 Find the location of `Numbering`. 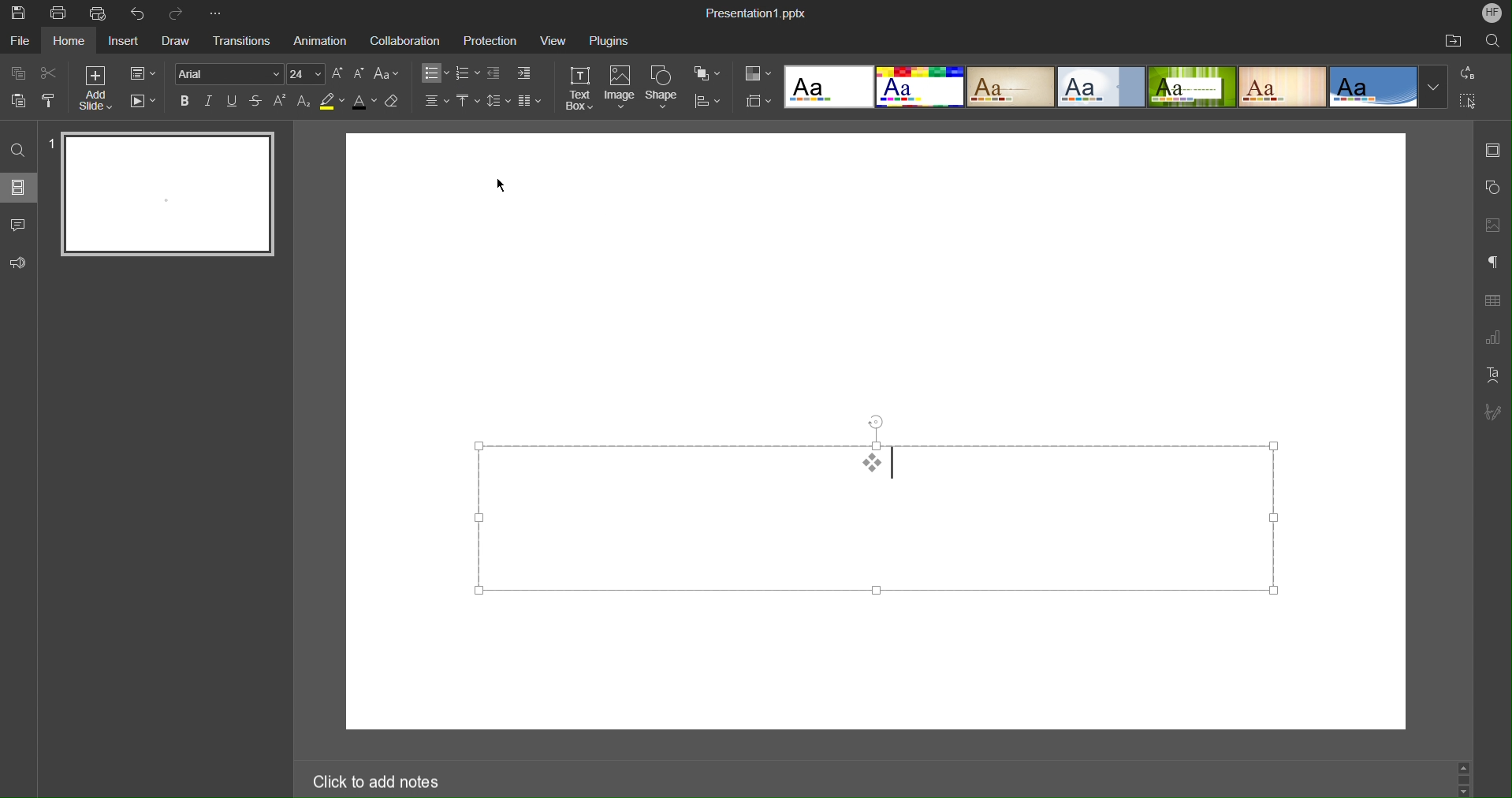

Numbering is located at coordinates (467, 73).